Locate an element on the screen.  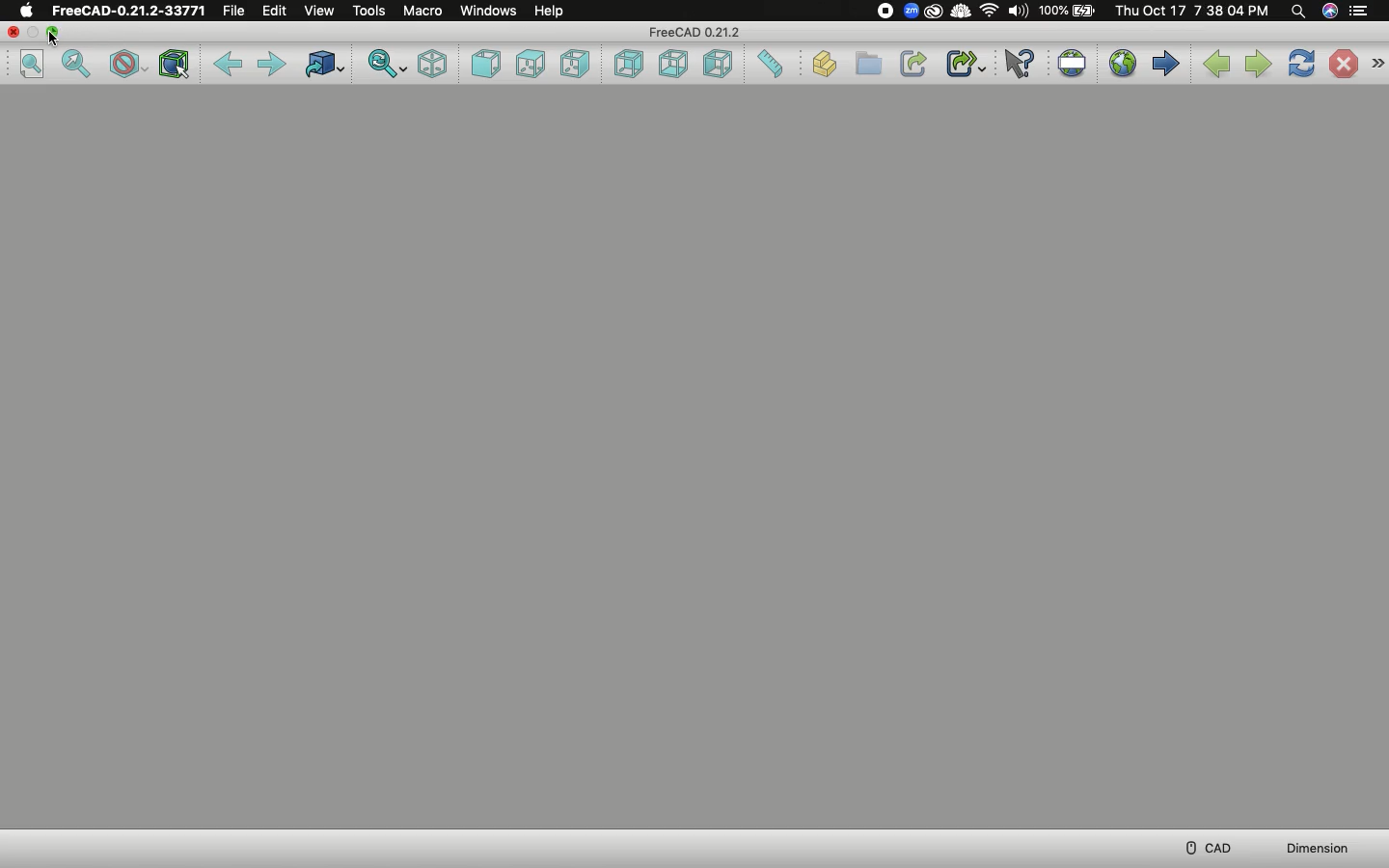
Cursor is located at coordinates (56, 41).